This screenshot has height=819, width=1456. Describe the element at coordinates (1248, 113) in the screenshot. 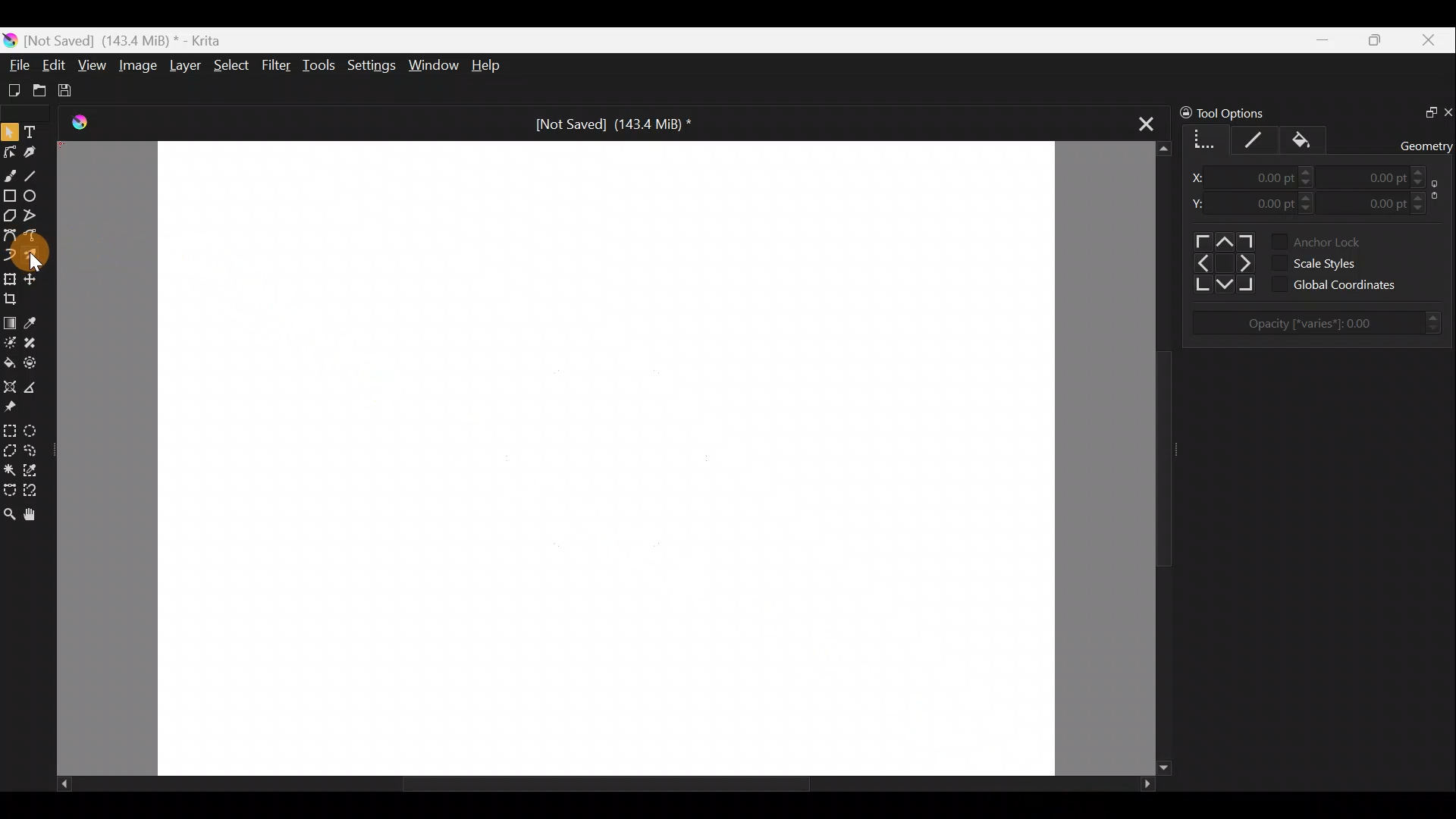

I see `Tool options` at that location.